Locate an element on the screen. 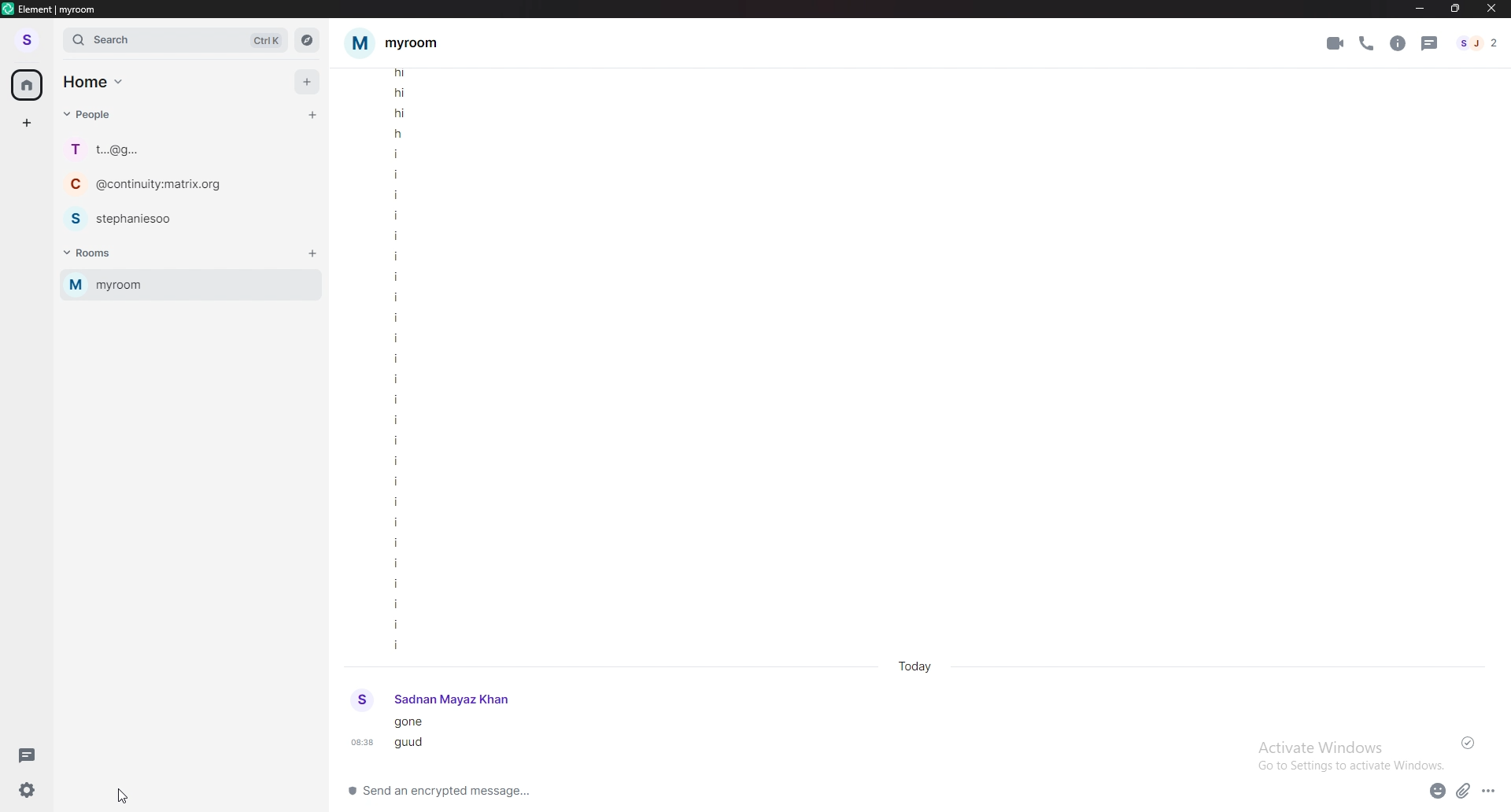  video call is located at coordinates (1336, 42).